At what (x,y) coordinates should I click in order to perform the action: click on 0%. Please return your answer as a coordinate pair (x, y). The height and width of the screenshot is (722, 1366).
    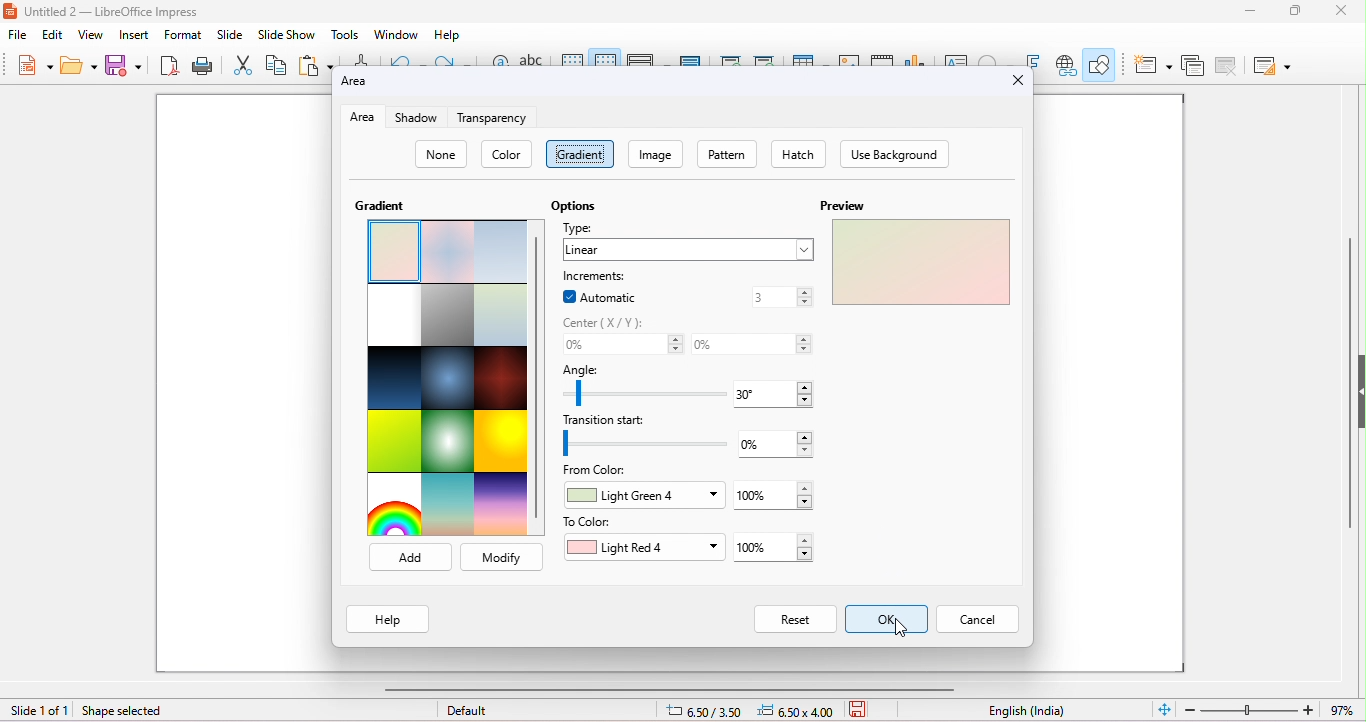
    Looking at the image, I should click on (622, 346).